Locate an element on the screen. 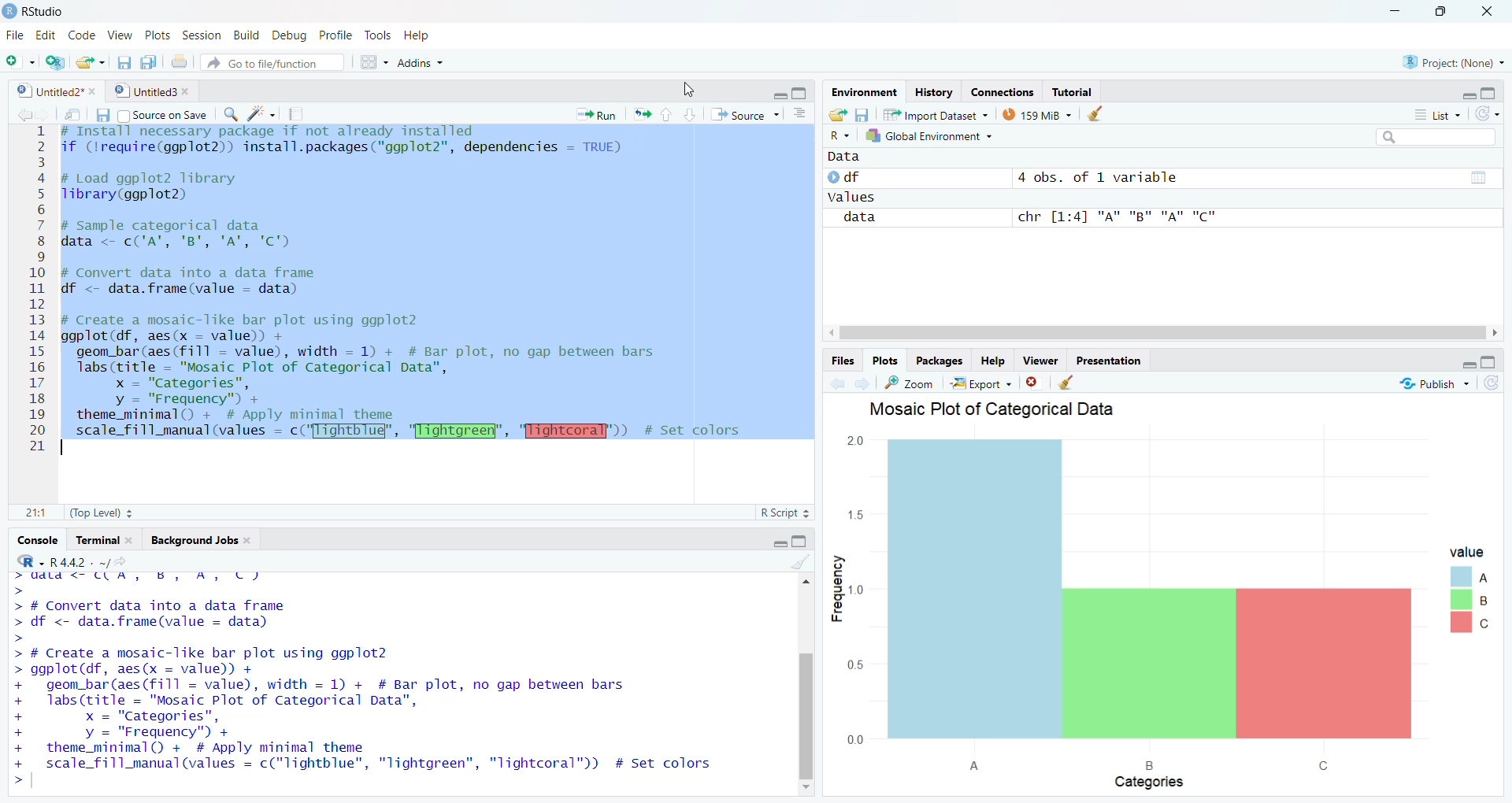 Image resolution: width=1512 pixels, height=803 pixels. Untitled3 is located at coordinates (154, 91).